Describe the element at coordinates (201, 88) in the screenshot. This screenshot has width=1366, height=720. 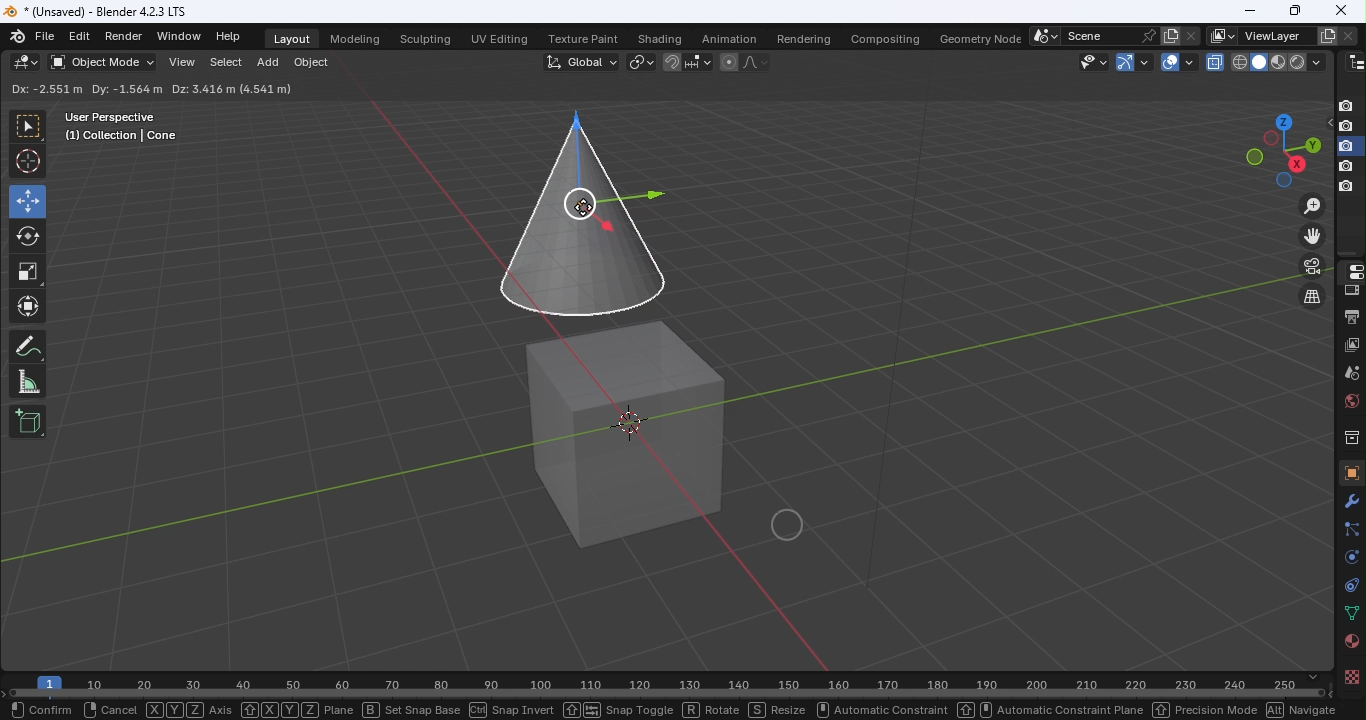
I see `Drag` at that location.